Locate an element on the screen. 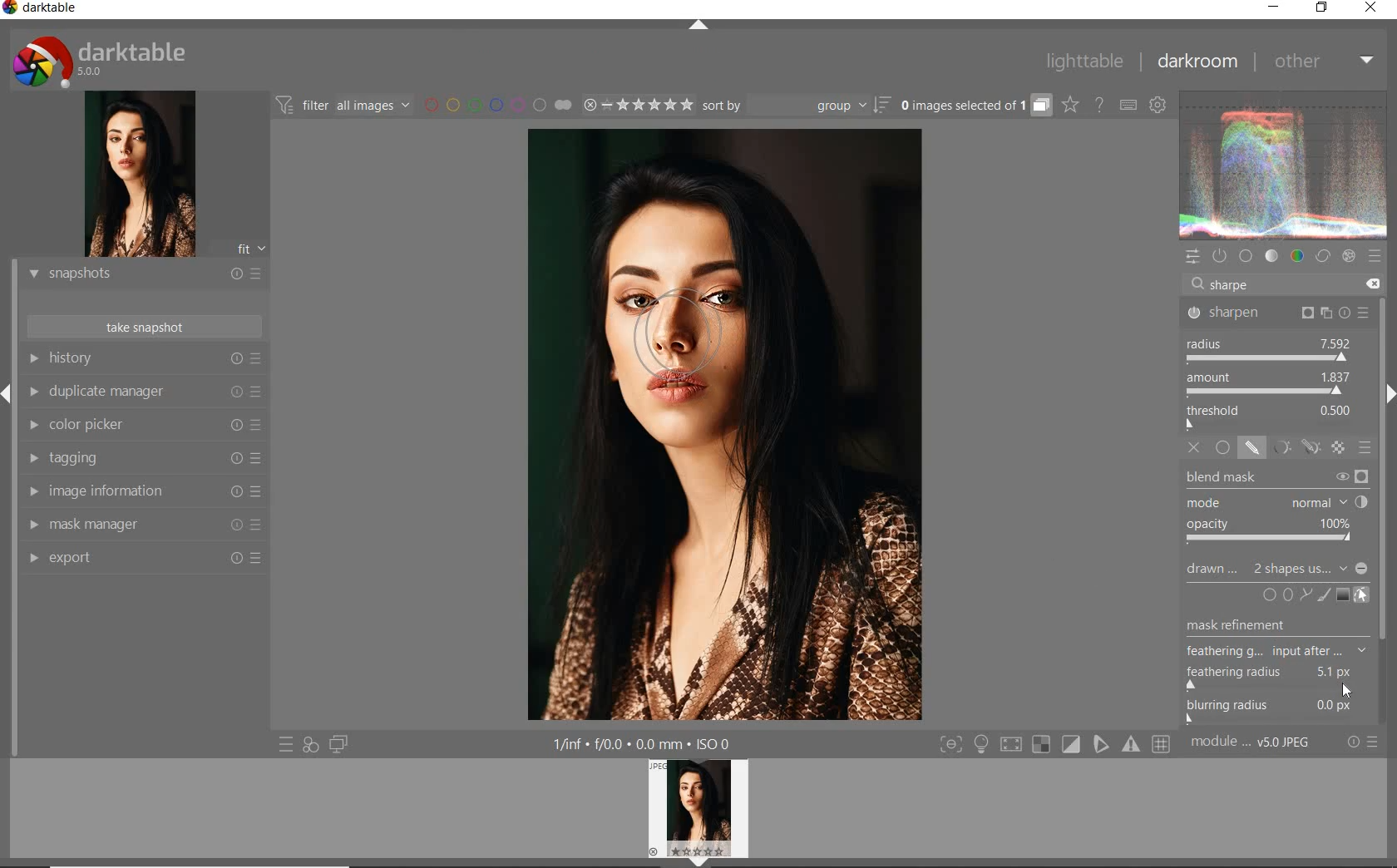 Image resolution: width=1397 pixels, height=868 pixels. effect is located at coordinates (1348, 257).